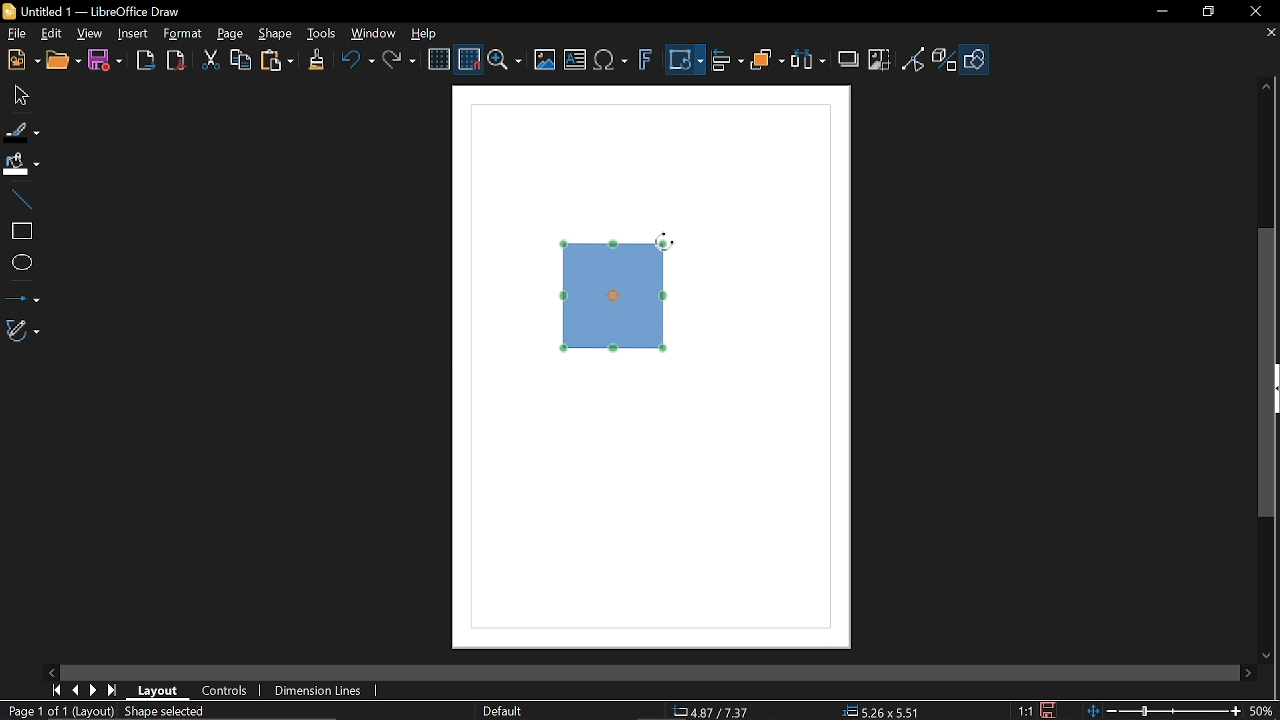  I want to click on Dimension lines, so click(314, 690).